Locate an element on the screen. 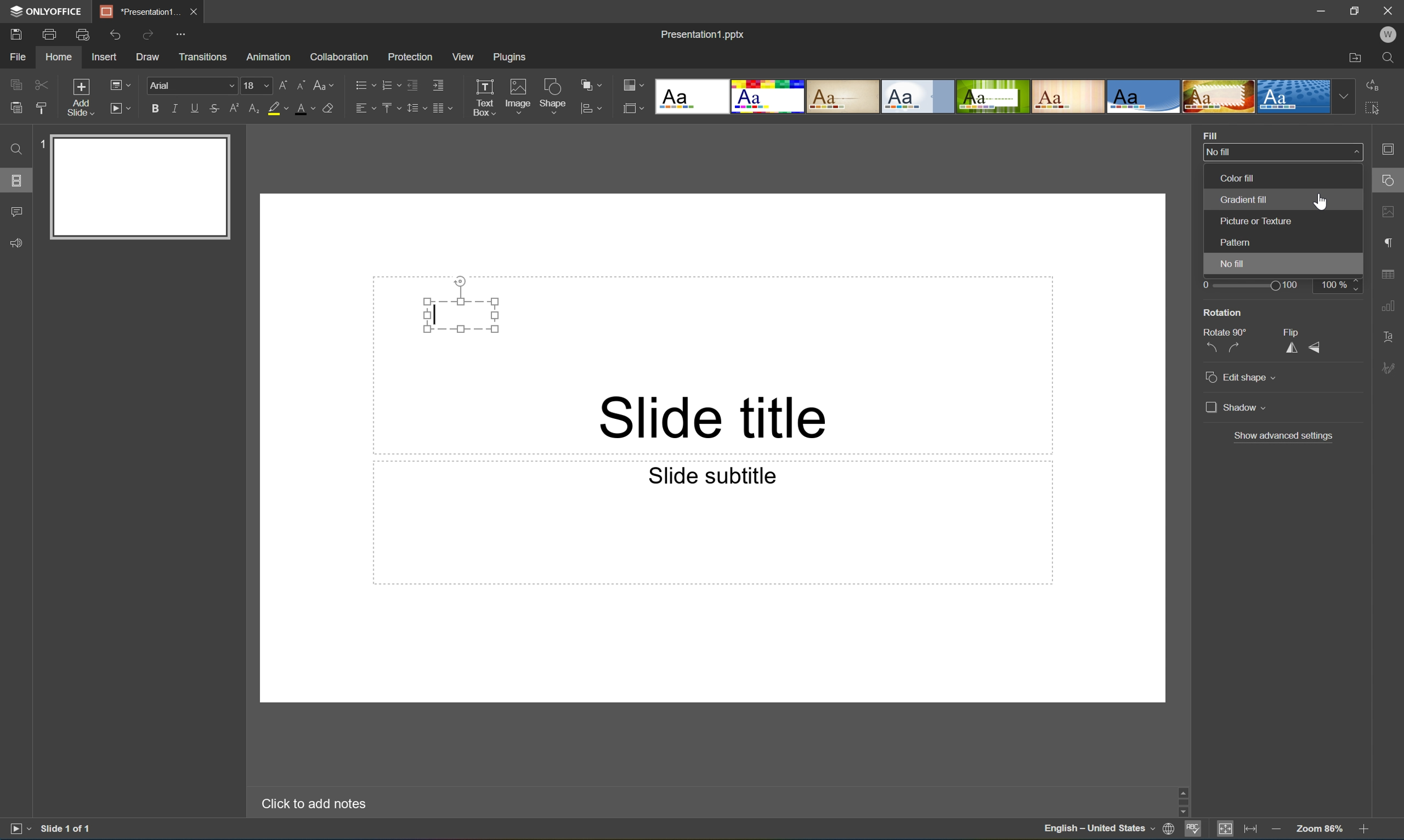 The image size is (1404, 840). Text Box is located at coordinates (483, 97).